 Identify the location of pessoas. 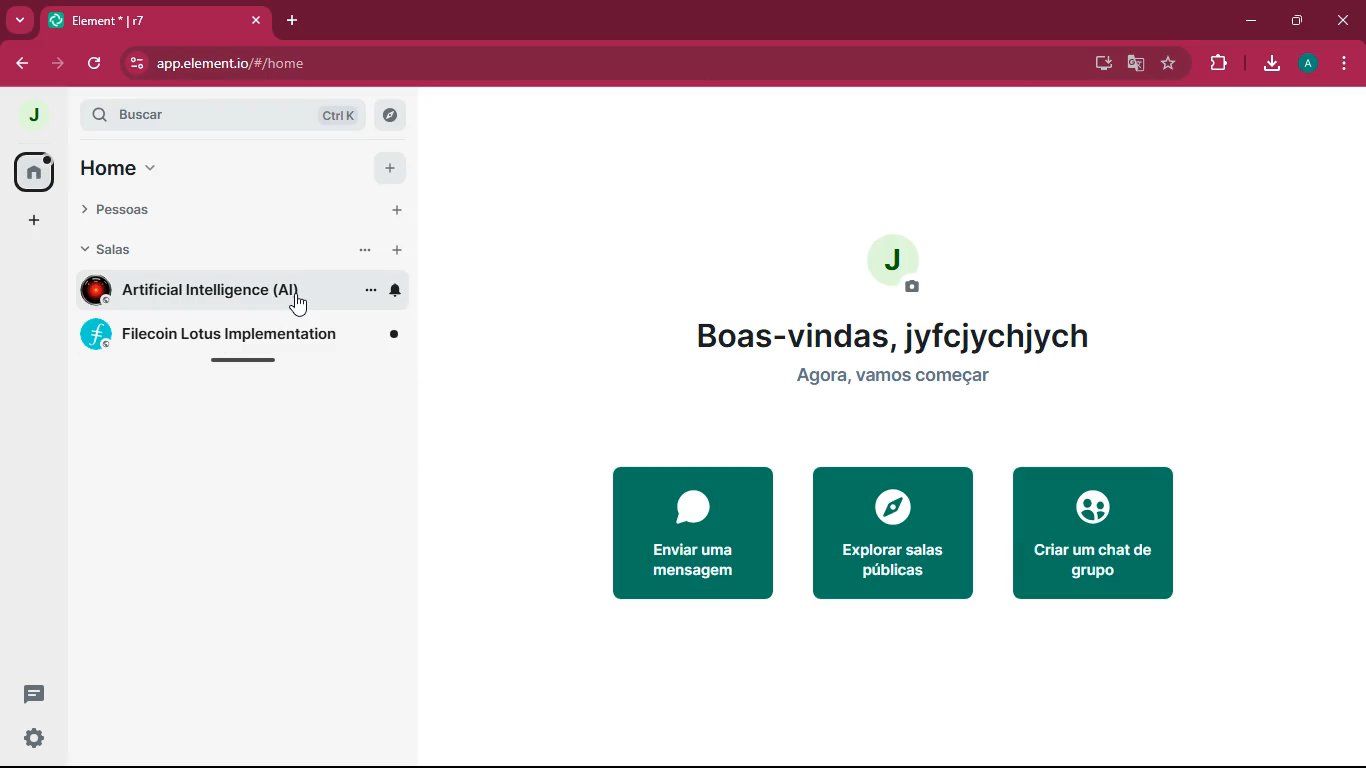
(143, 211).